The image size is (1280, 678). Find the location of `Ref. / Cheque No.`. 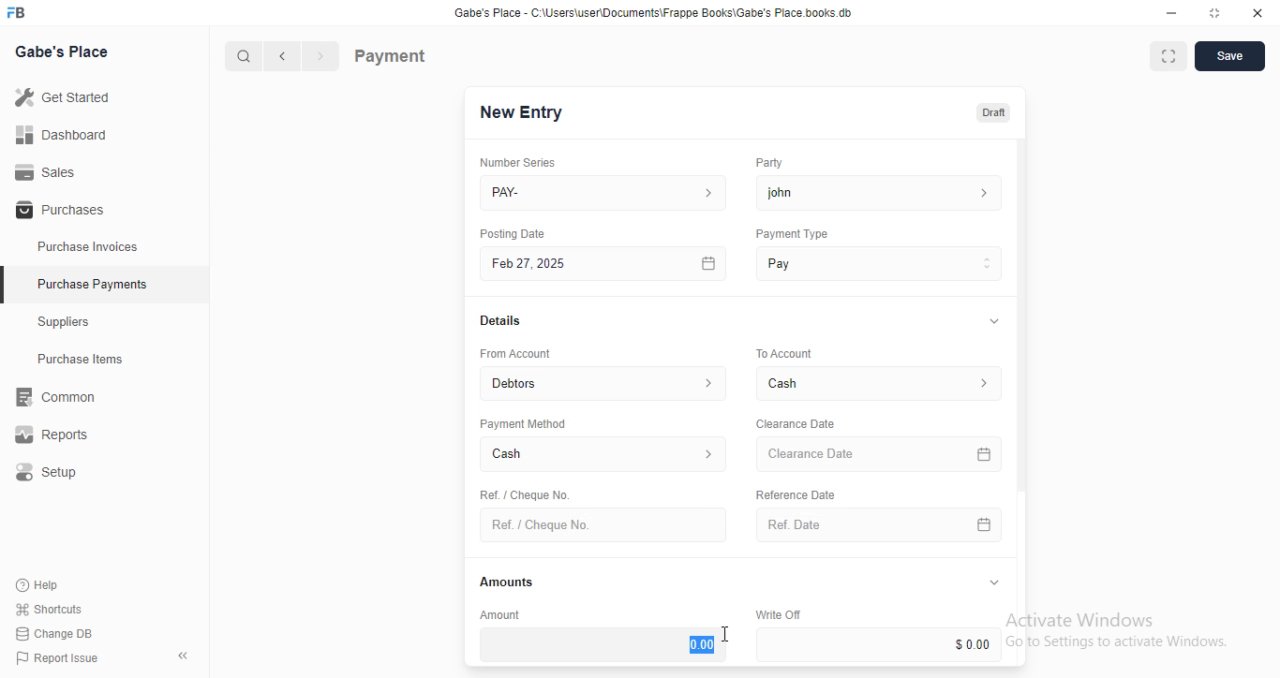

Ref. / Cheque No. is located at coordinates (602, 525).